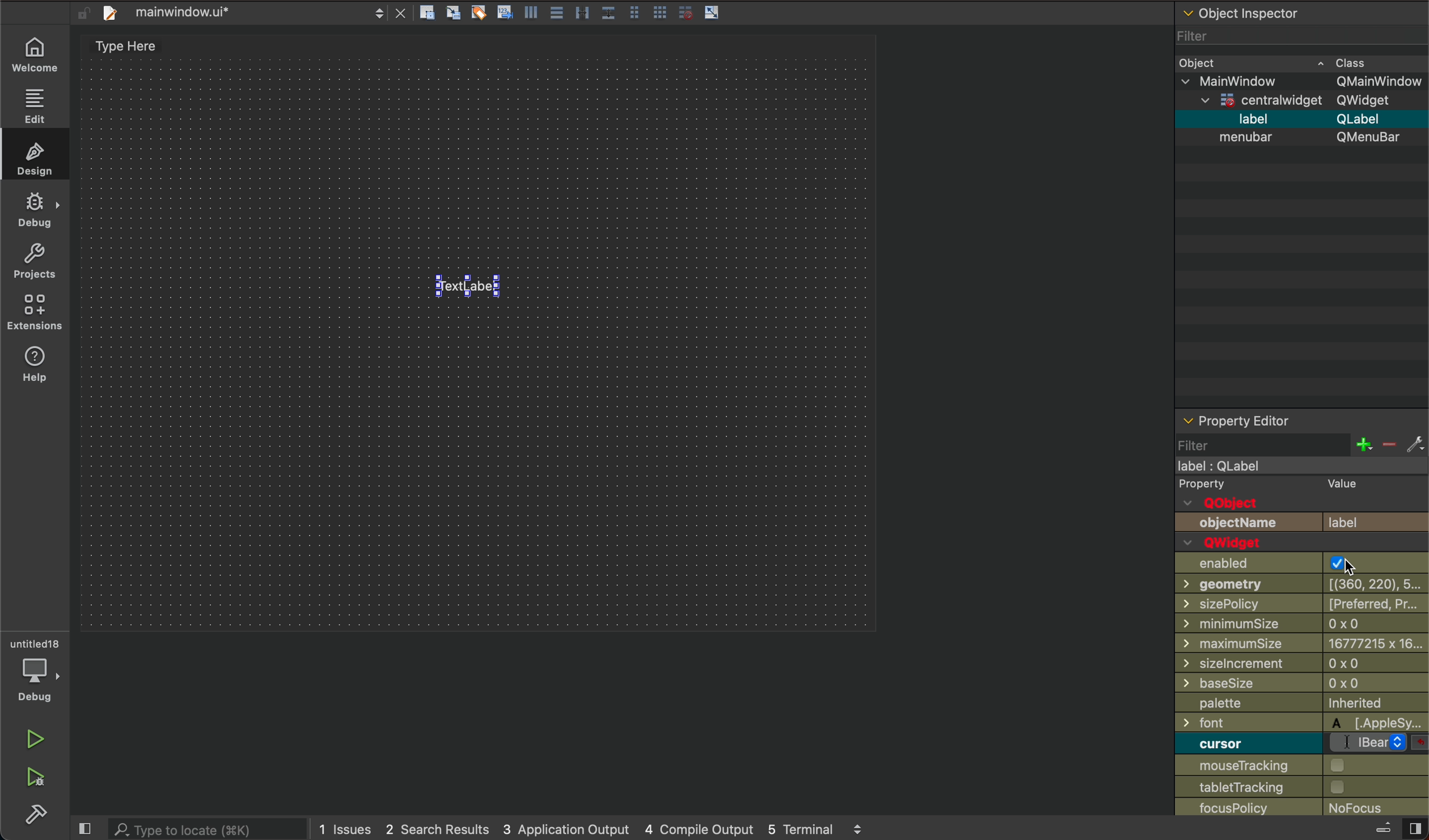  Describe the element at coordinates (1364, 521) in the screenshot. I see `label` at that location.